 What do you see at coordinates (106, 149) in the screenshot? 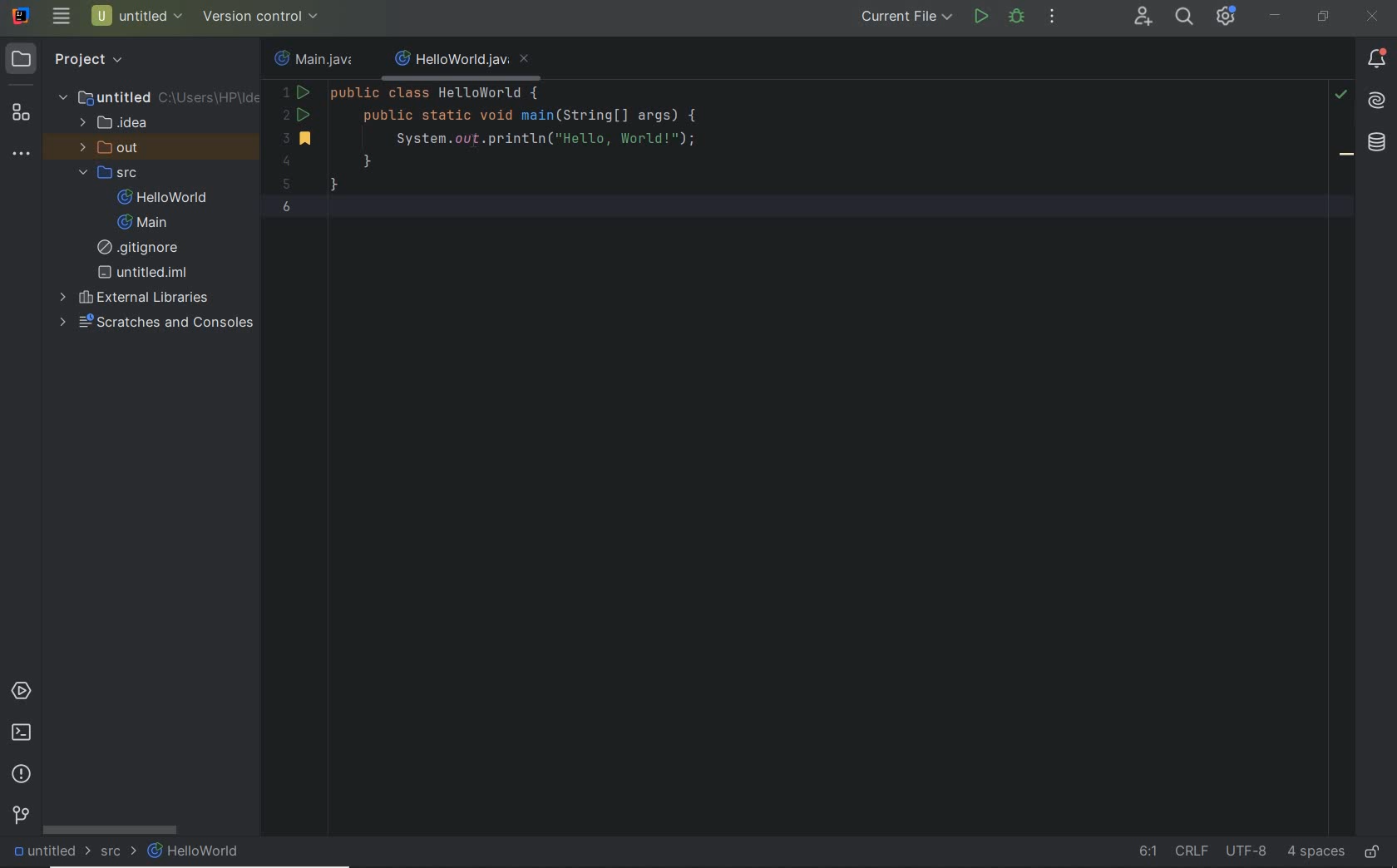
I see `out` at bounding box center [106, 149].